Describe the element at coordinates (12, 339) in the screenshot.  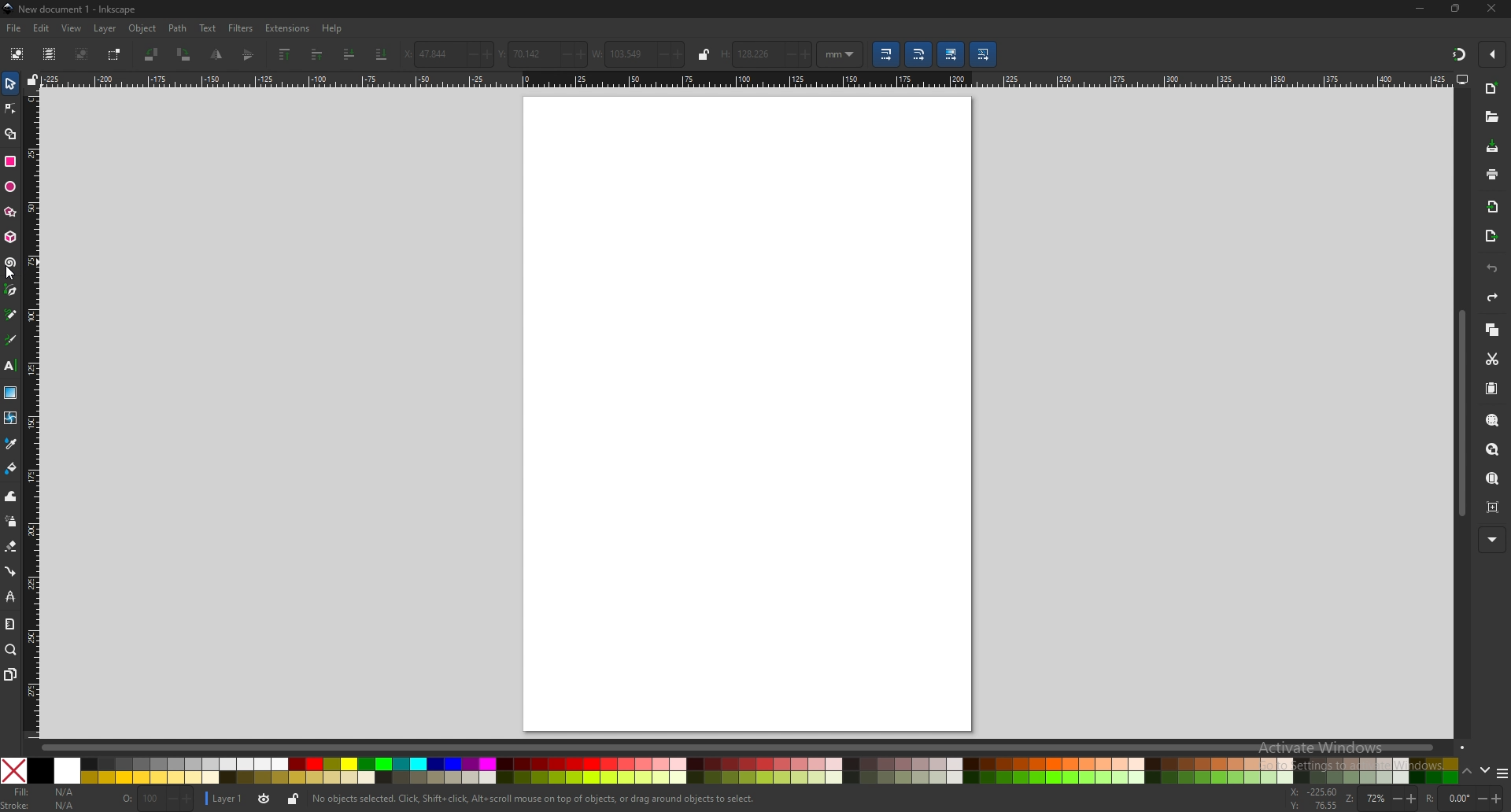
I see `calligraphy` at that location.